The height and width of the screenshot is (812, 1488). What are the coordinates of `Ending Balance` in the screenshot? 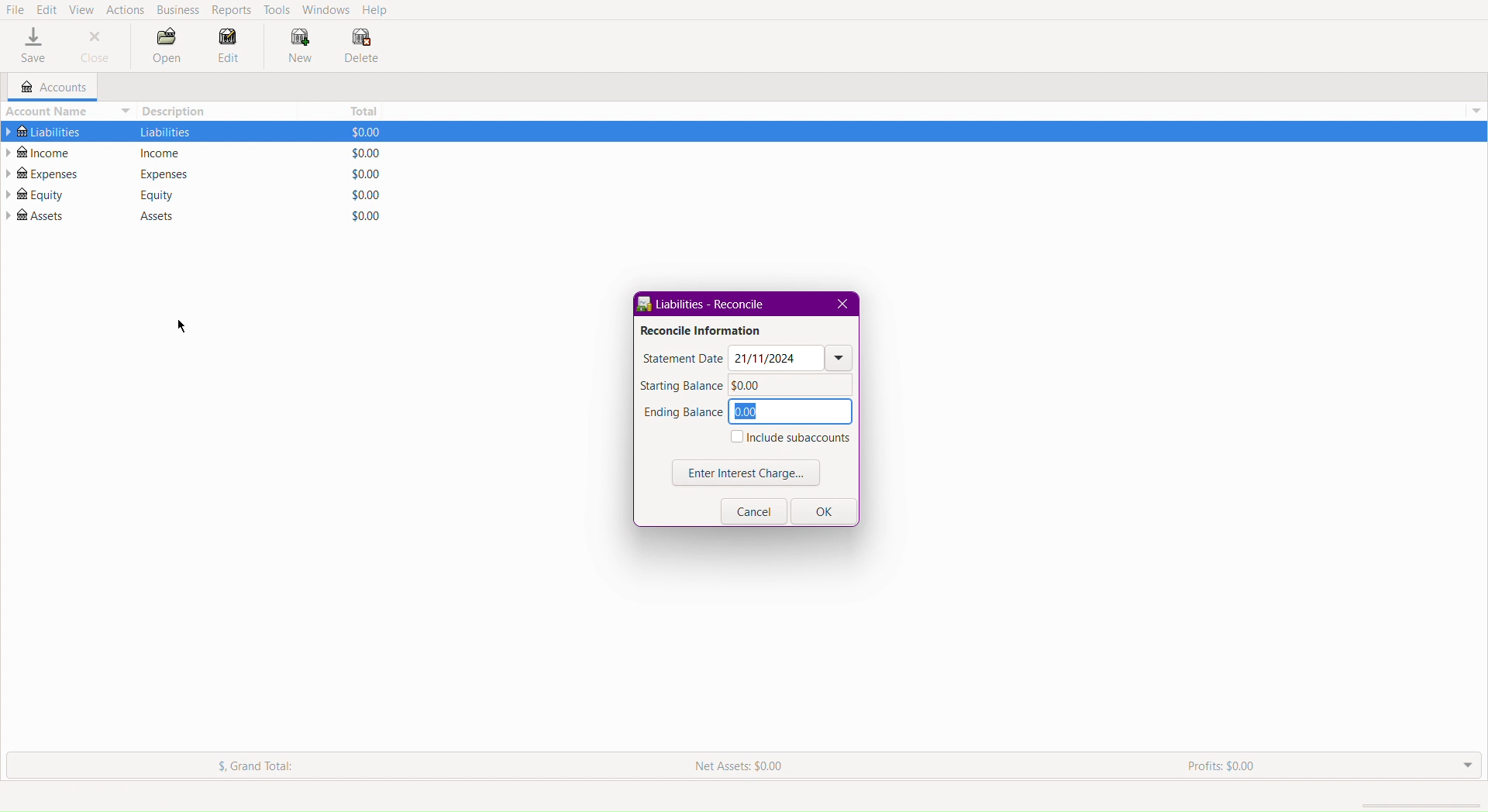 It's located at (682, 412).